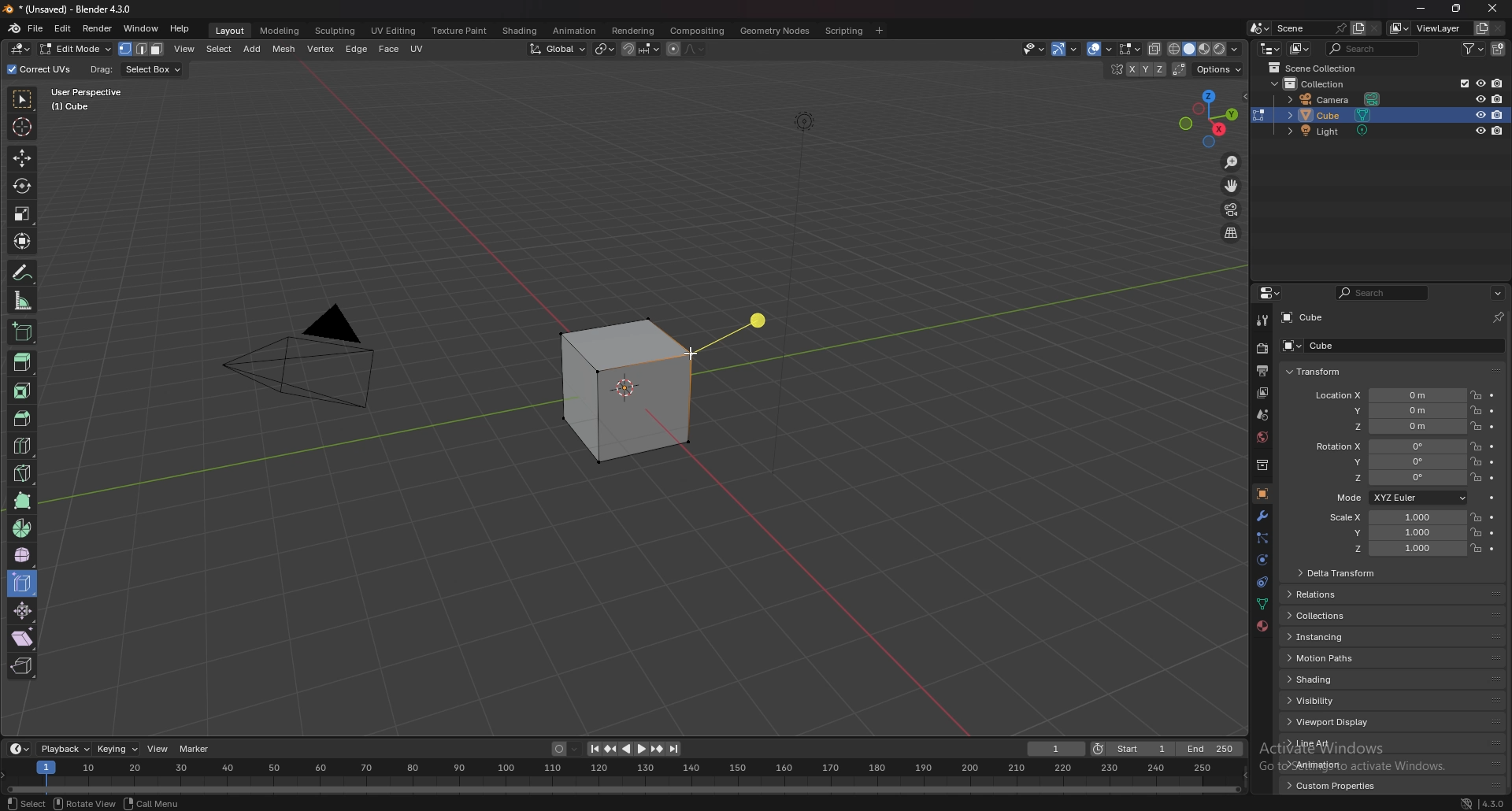 This screenshot has height=811, width=1512. What do you see at coordinates (1258, 115) in the screenshot?
I see `change object` at bounding box center [1258, 115].